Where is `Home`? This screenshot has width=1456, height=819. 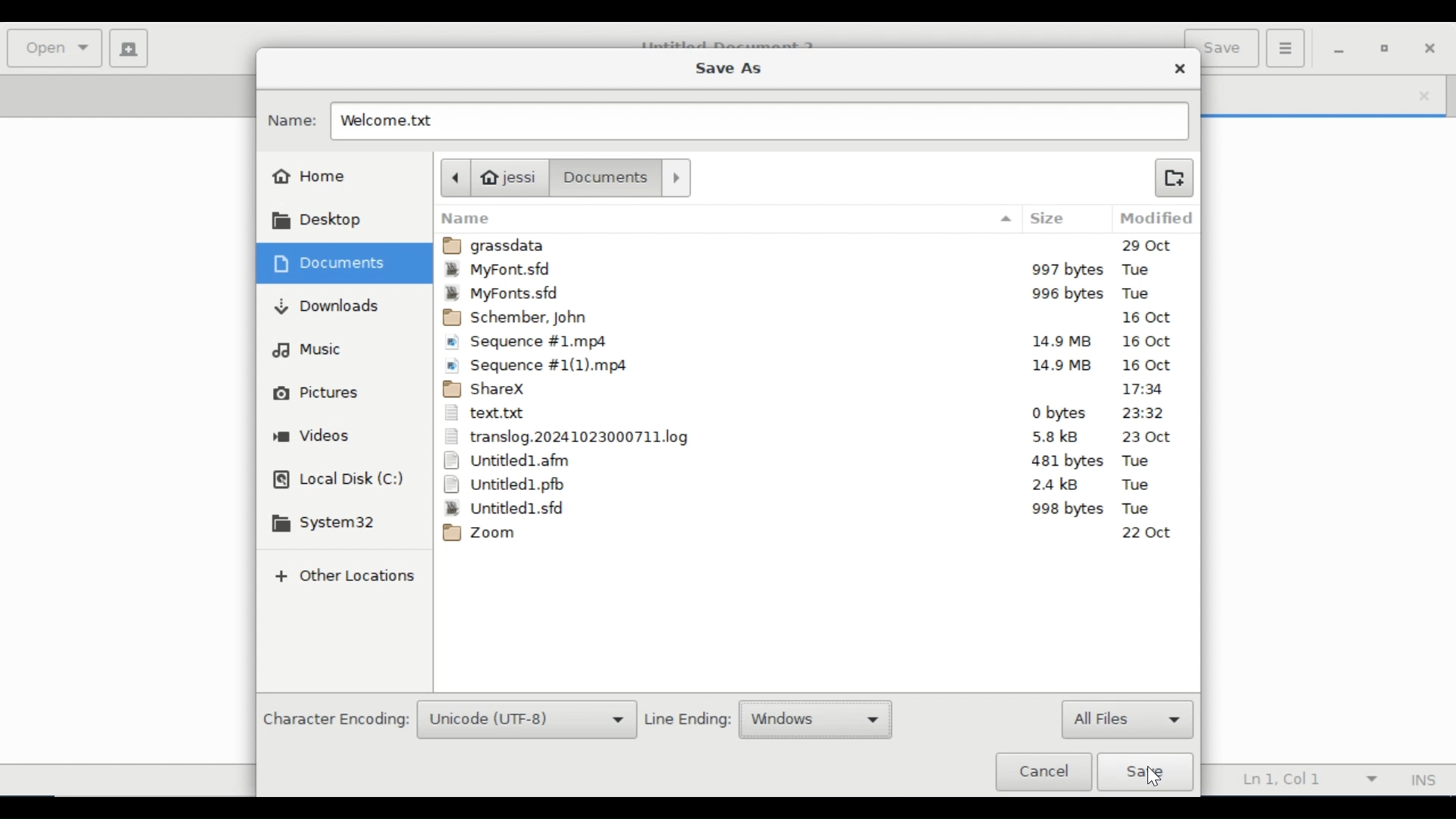 Home is located at coordinates (311, 177).